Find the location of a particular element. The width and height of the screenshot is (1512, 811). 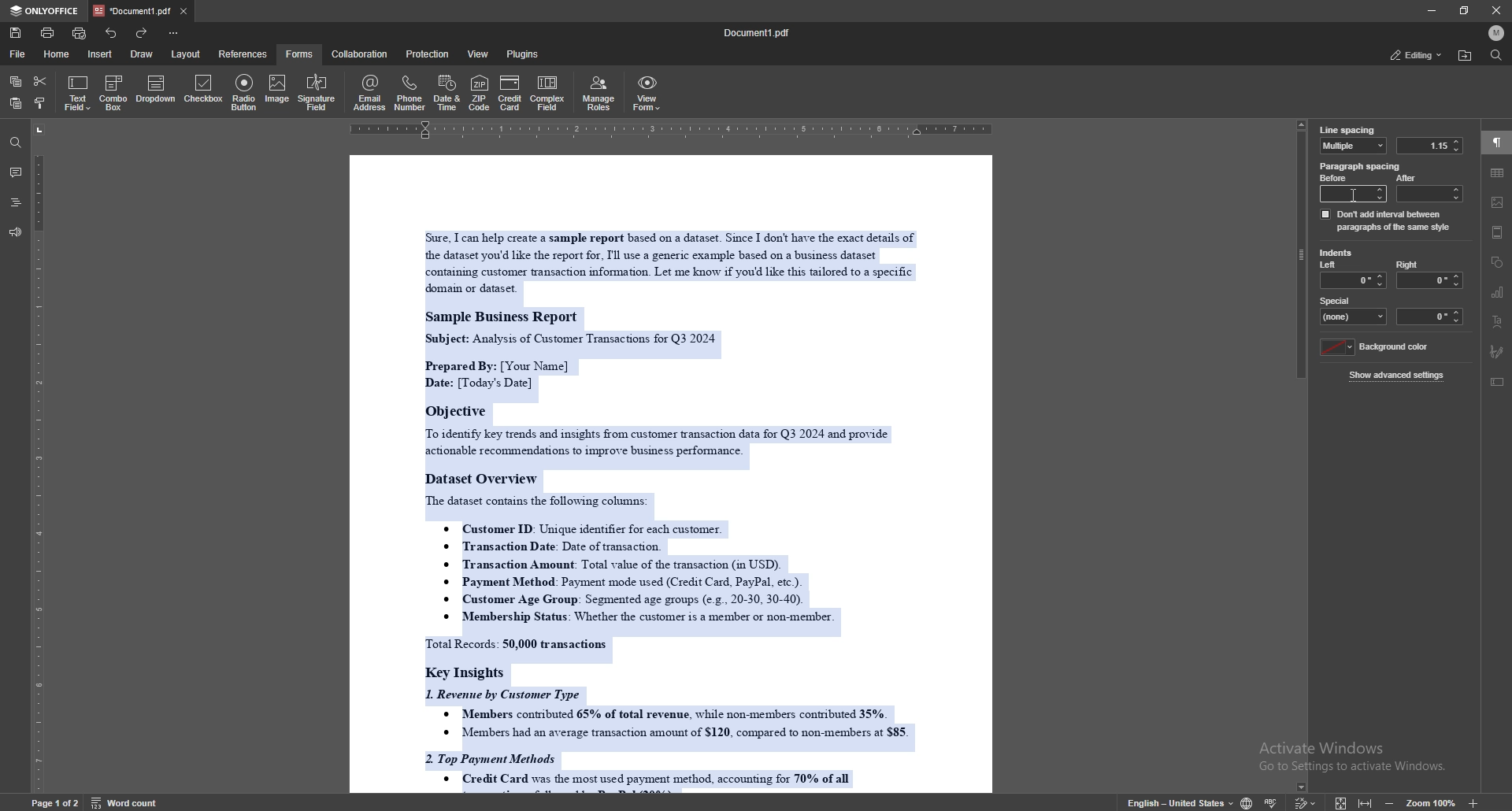

view form is located at coordinates (647, 93).